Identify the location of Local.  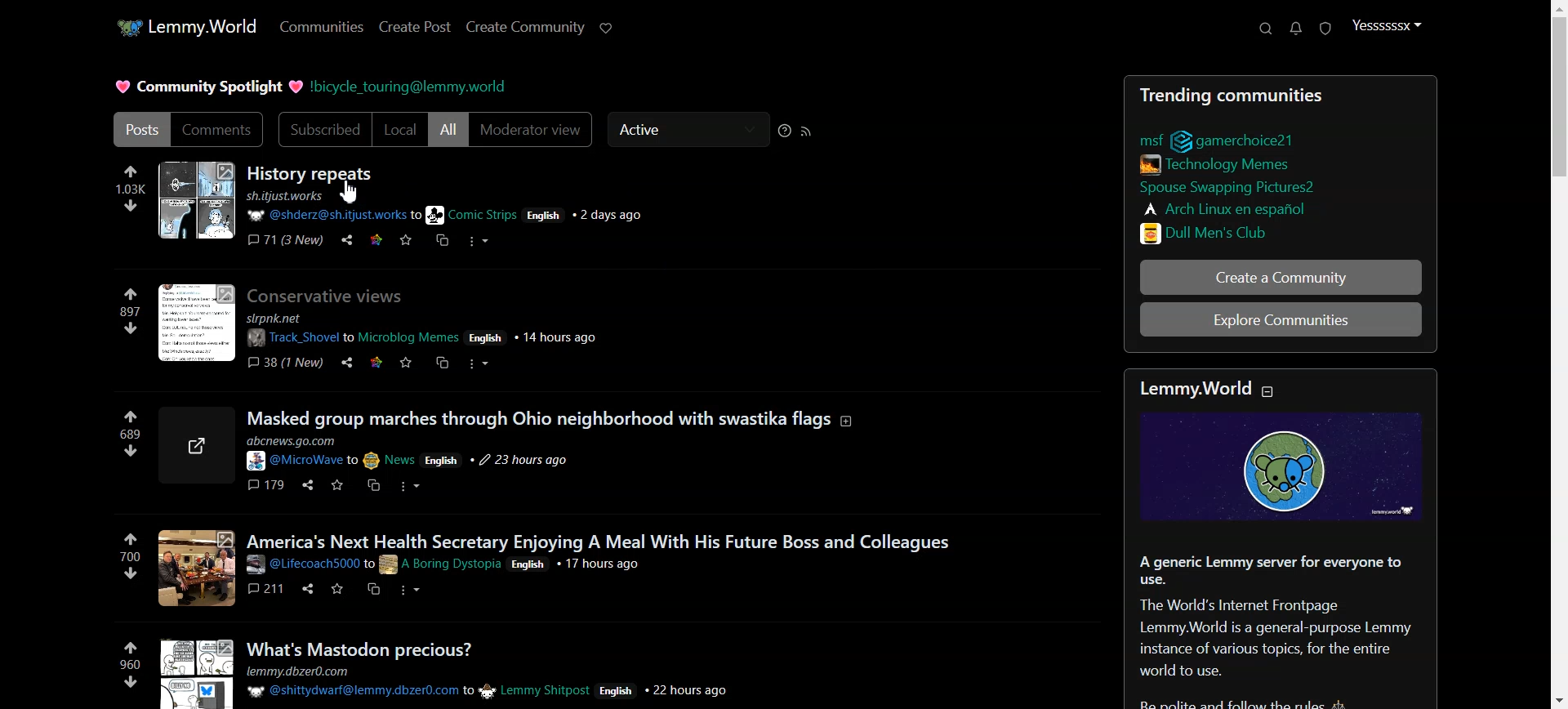
(401, 130).